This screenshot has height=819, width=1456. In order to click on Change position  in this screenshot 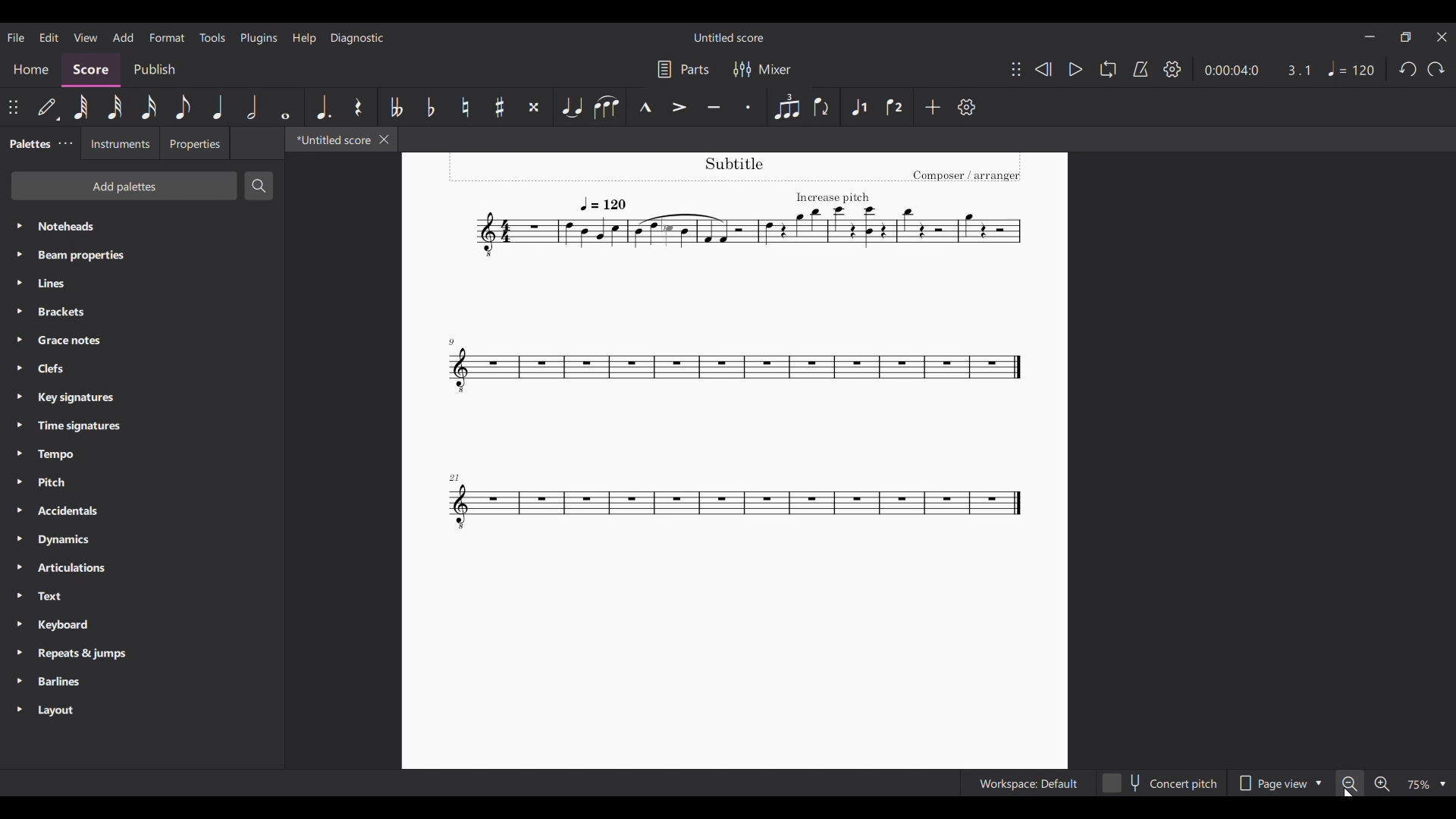, I will do `click(13, 107)`.